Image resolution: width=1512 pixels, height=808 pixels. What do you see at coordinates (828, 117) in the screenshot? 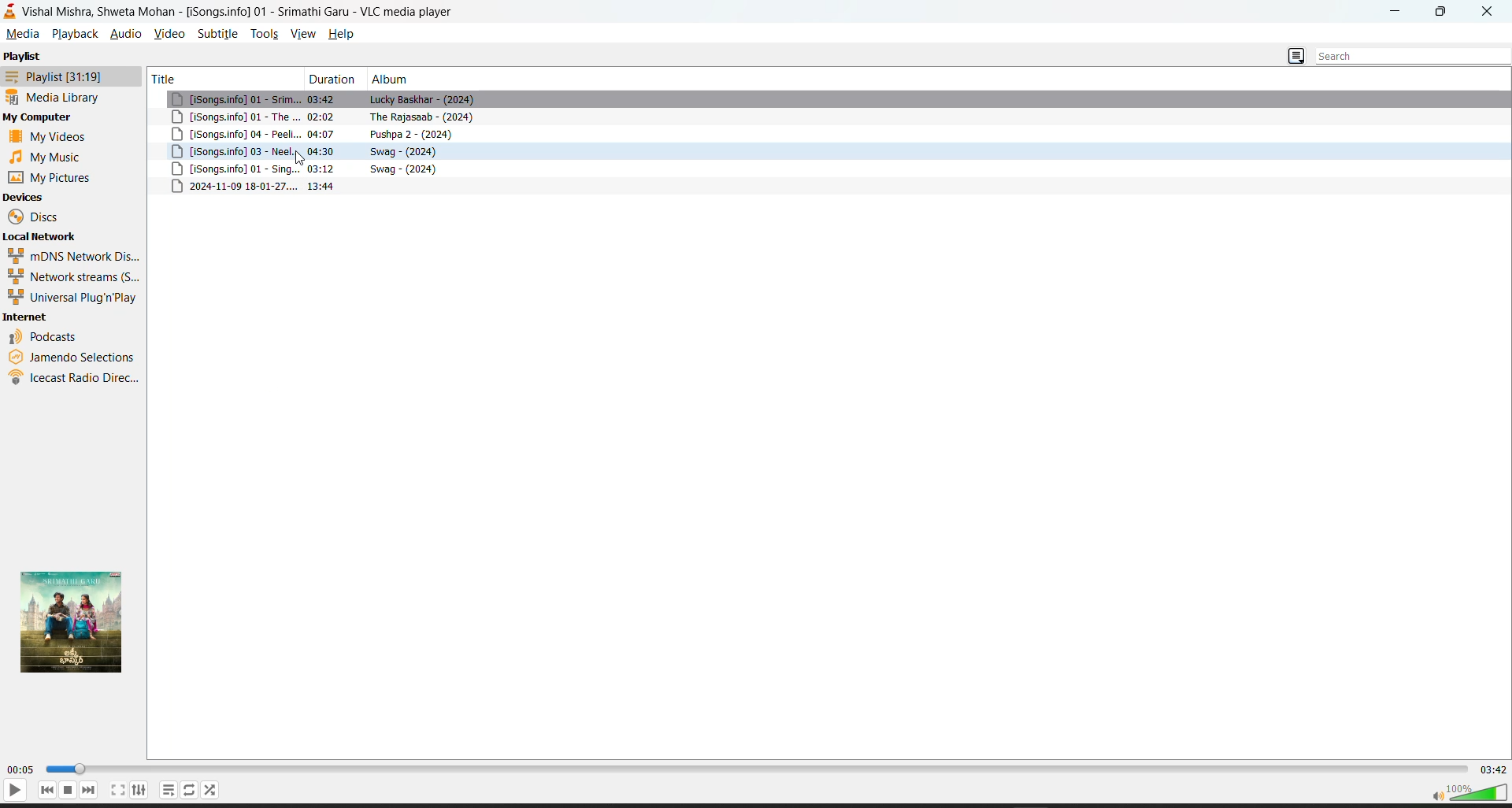
I see `song` at bounding box center [828, 117].